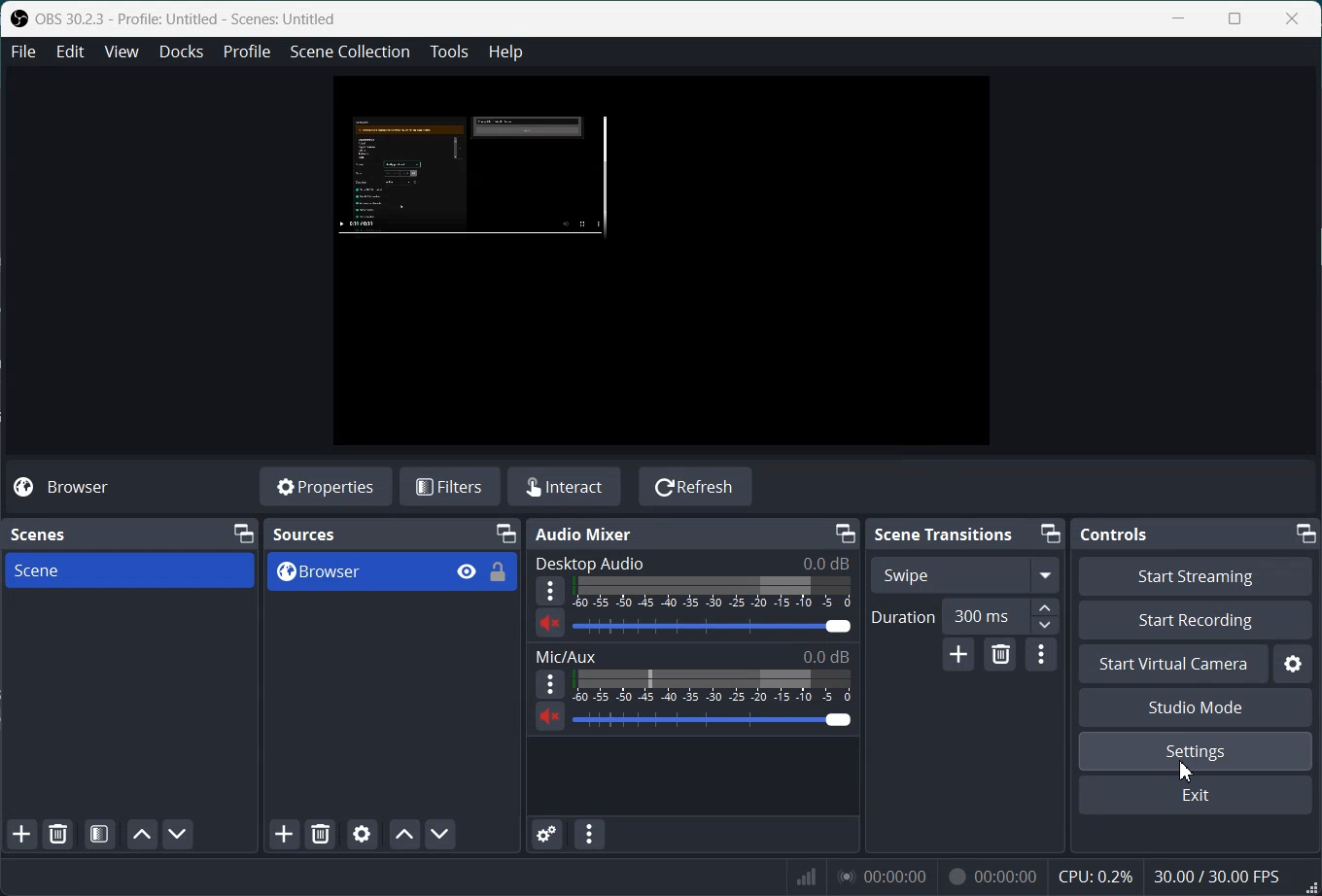 This screenshot has width=1322, height=896. What do you see at coordinates (1292, 17) in the screenshot?
I see `Close` at bounding box center [1292, 17].